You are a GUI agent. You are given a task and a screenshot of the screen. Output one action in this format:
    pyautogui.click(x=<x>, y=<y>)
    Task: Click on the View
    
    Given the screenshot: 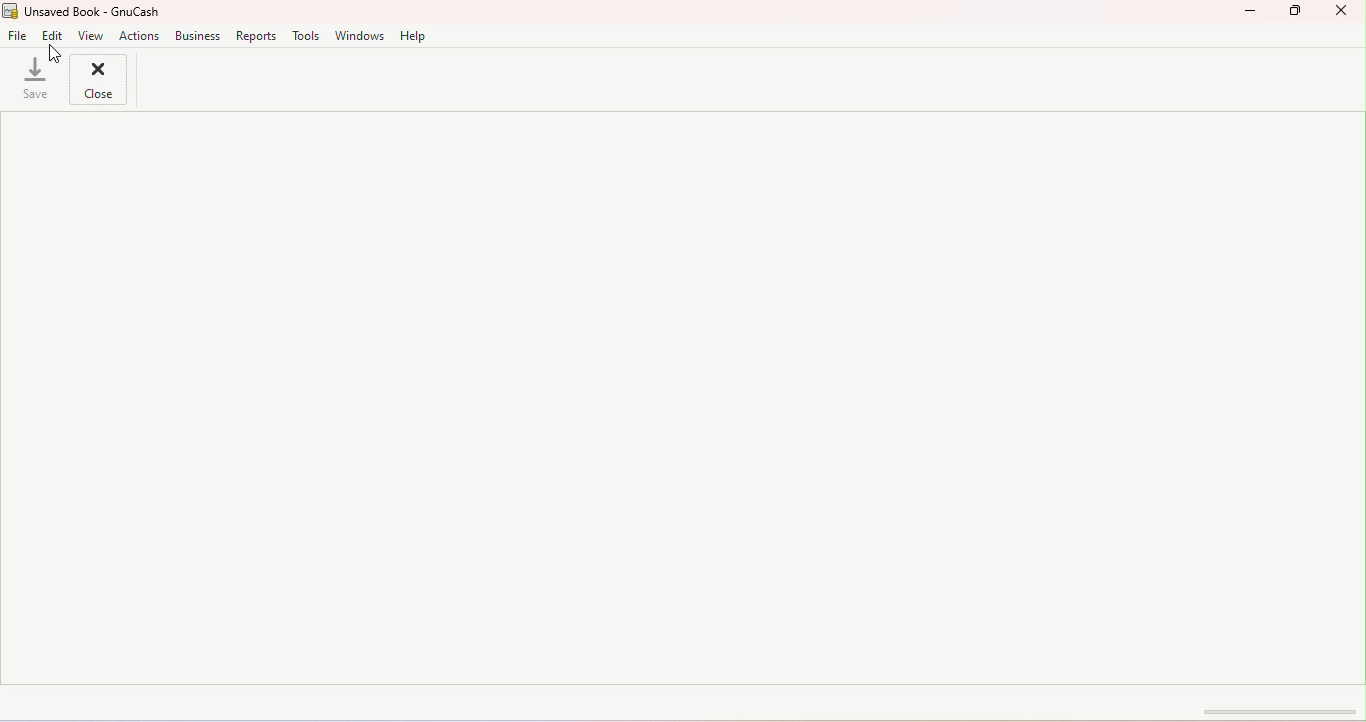 What is the action you would take?
    pyautogui.click(x=89, y=37)
    